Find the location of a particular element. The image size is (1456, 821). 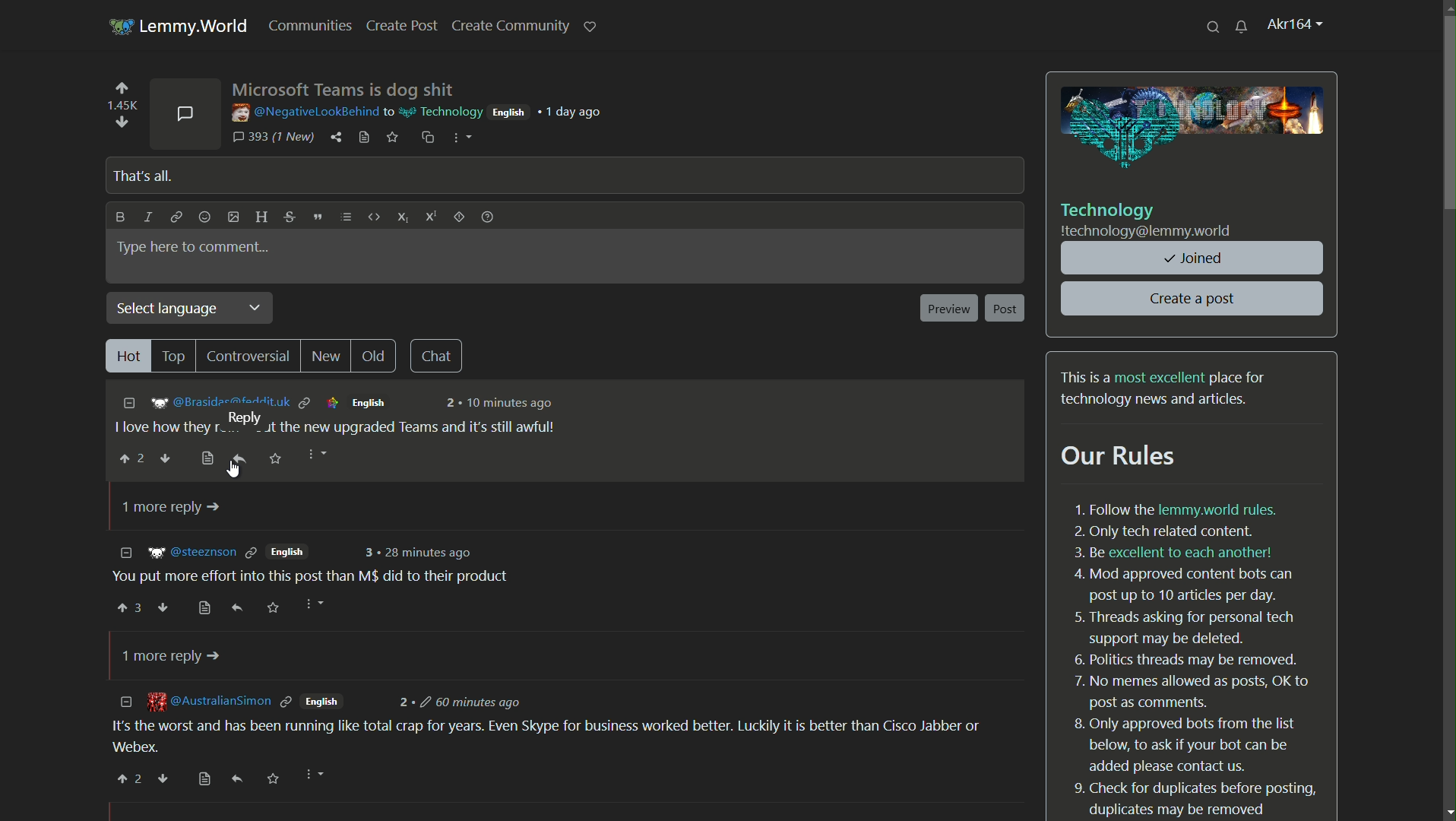

quote is located at coordinates (317, 217).